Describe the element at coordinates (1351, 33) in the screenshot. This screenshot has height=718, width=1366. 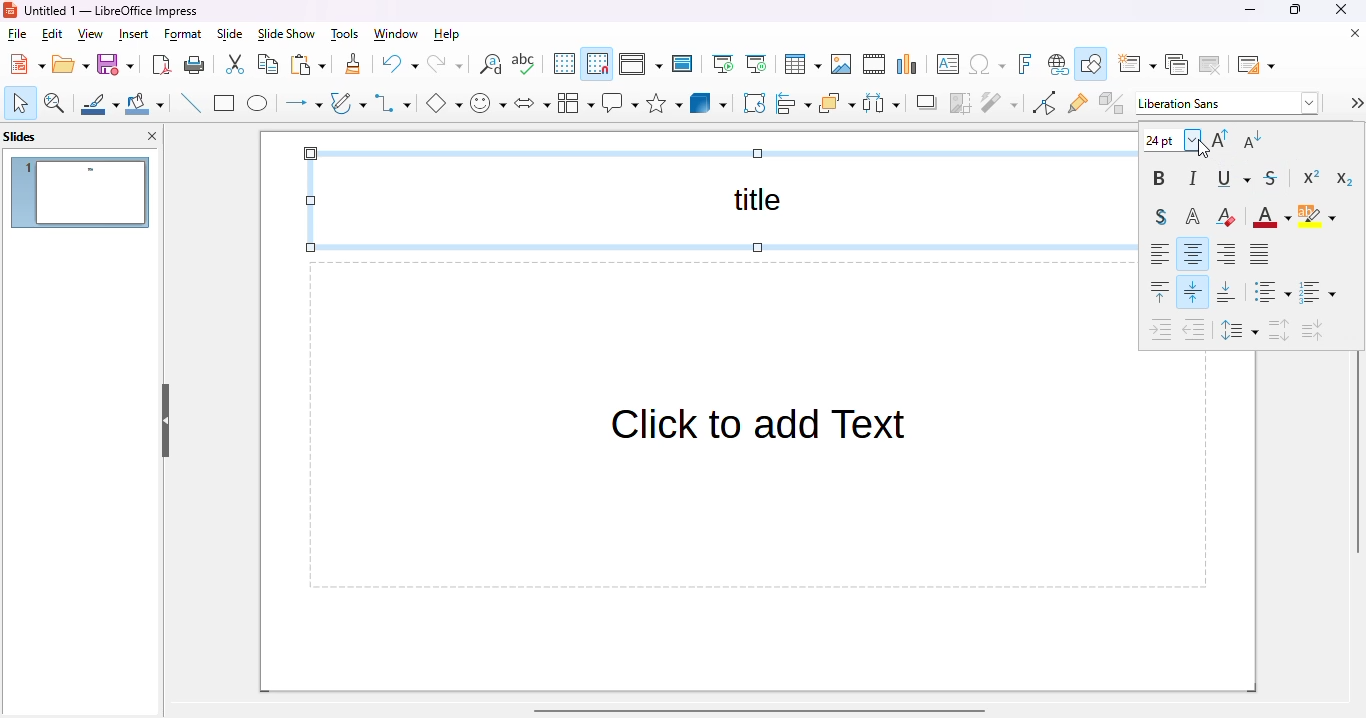
I see `close document` at that location.